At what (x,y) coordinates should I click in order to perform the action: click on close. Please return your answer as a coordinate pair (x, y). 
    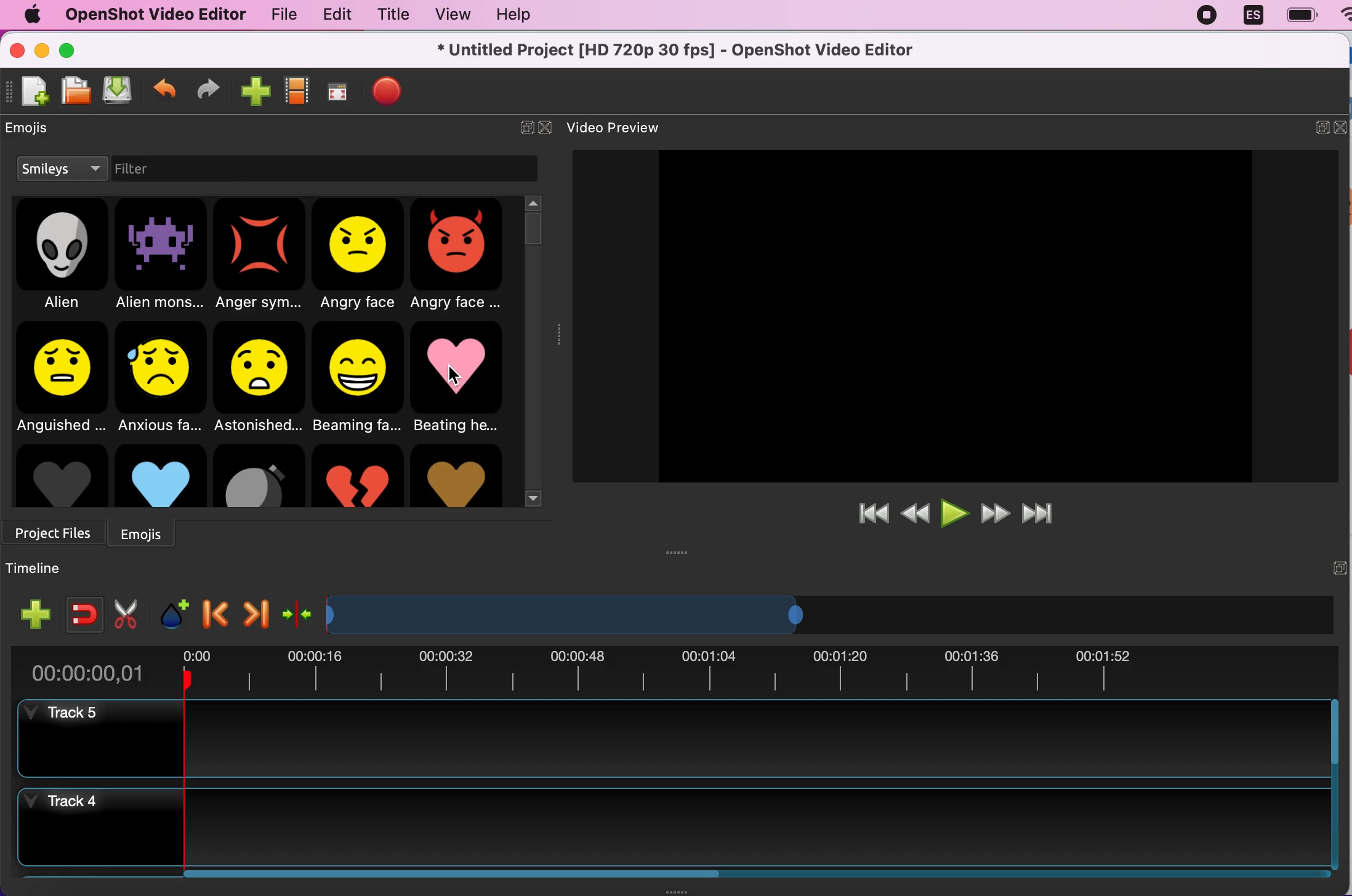
    Looking at the image, I should click on (549, 124).